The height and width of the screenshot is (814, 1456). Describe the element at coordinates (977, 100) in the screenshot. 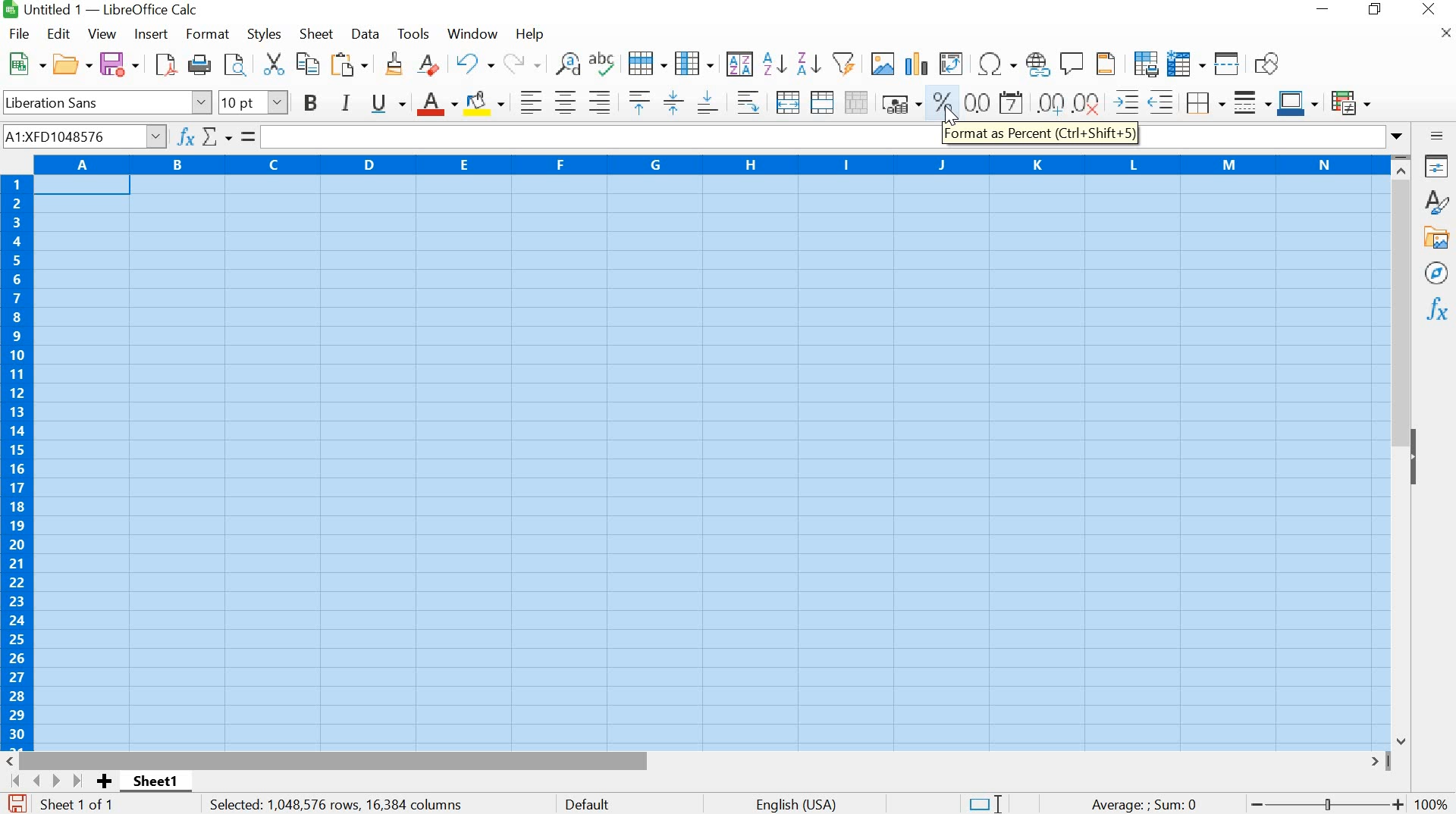

I see `Format as number` at that location.